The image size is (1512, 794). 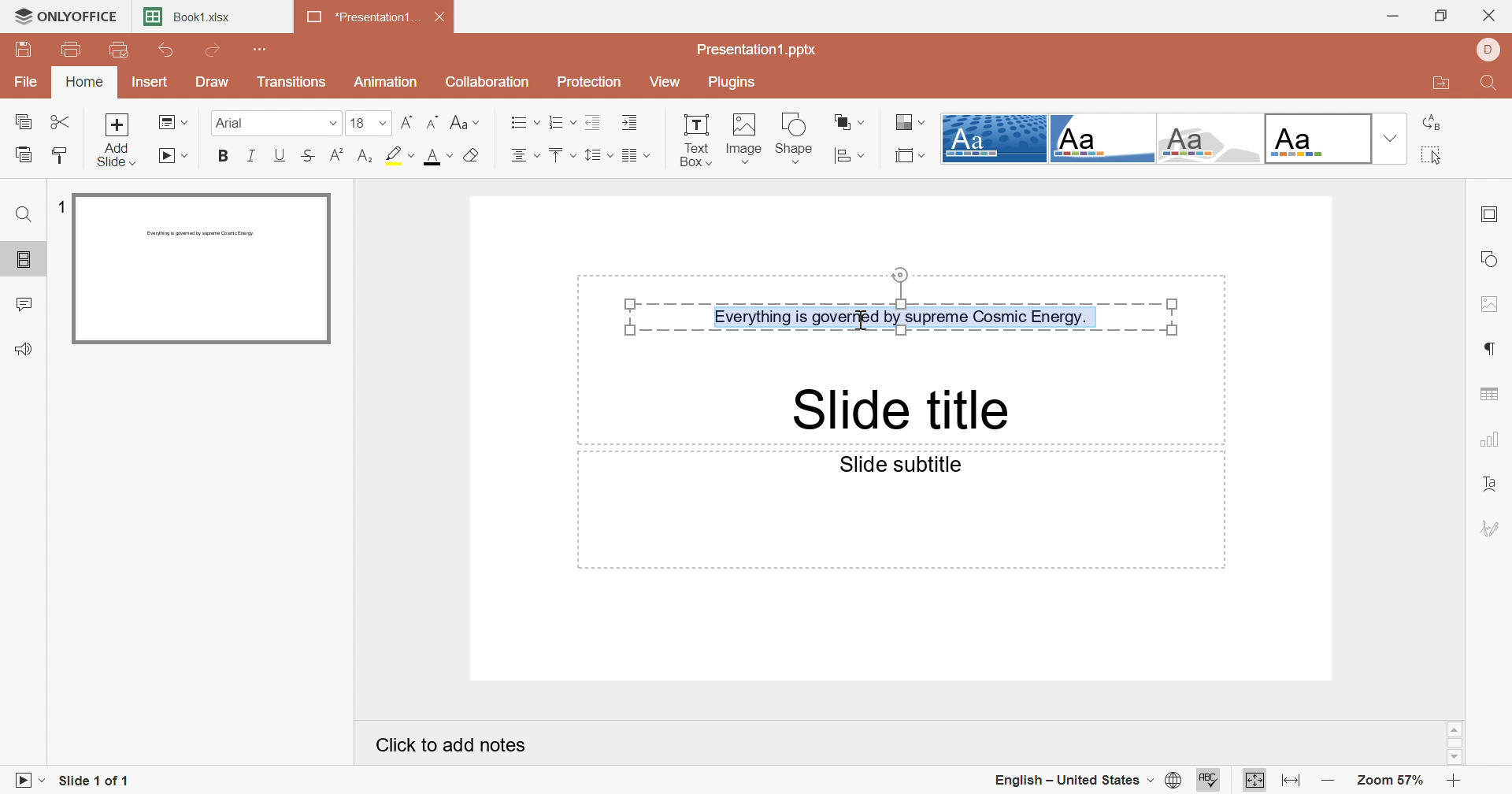 What do you see at coordinates (387, 80) in the screenshot?
I see `Animation` at bounding box center [387, 80].